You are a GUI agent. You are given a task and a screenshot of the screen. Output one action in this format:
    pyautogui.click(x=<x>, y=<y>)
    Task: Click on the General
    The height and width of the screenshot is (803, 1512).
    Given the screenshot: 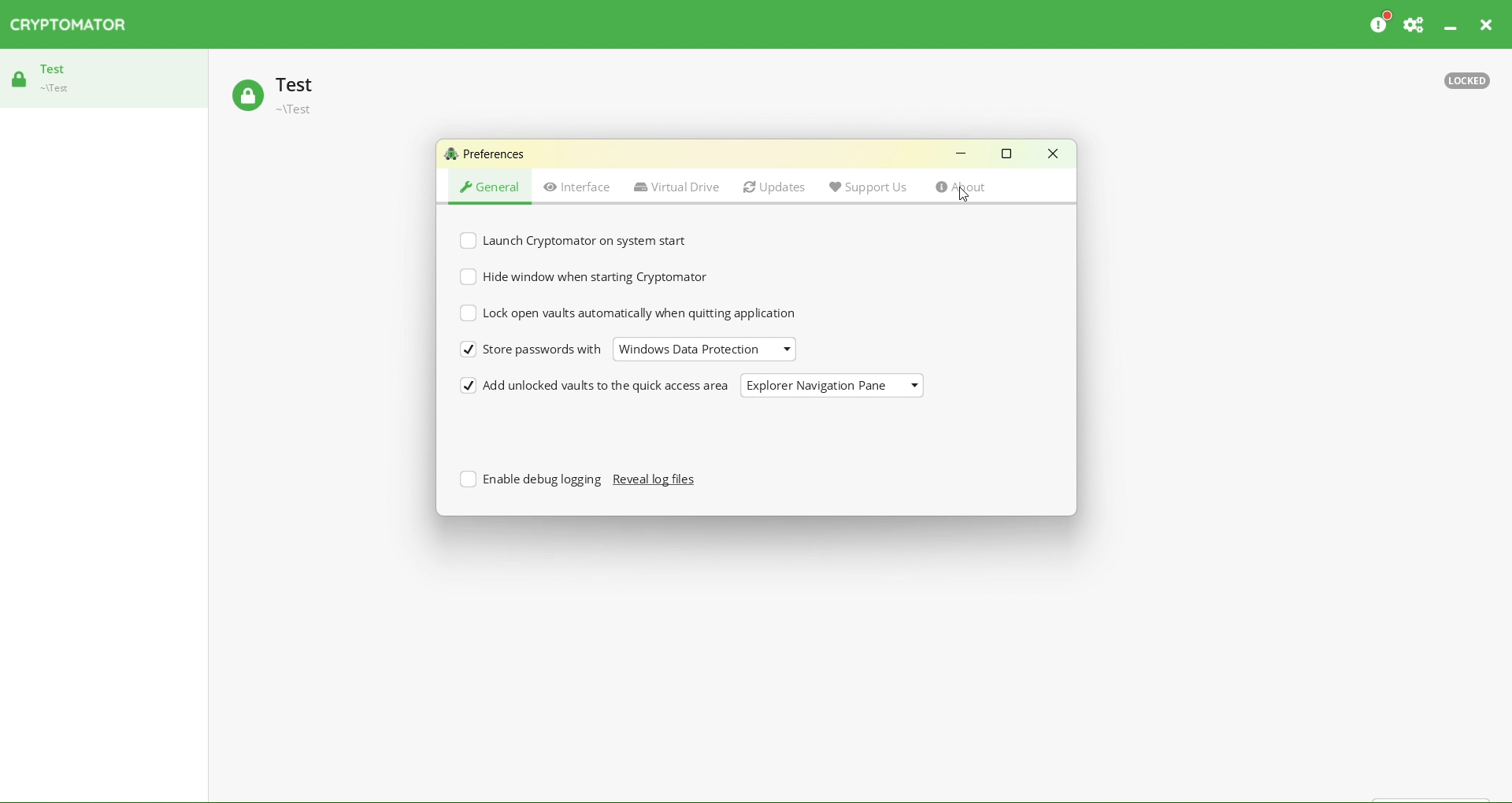 What is the action you would take?
    pyautogui.click(x=491, y=187)
    